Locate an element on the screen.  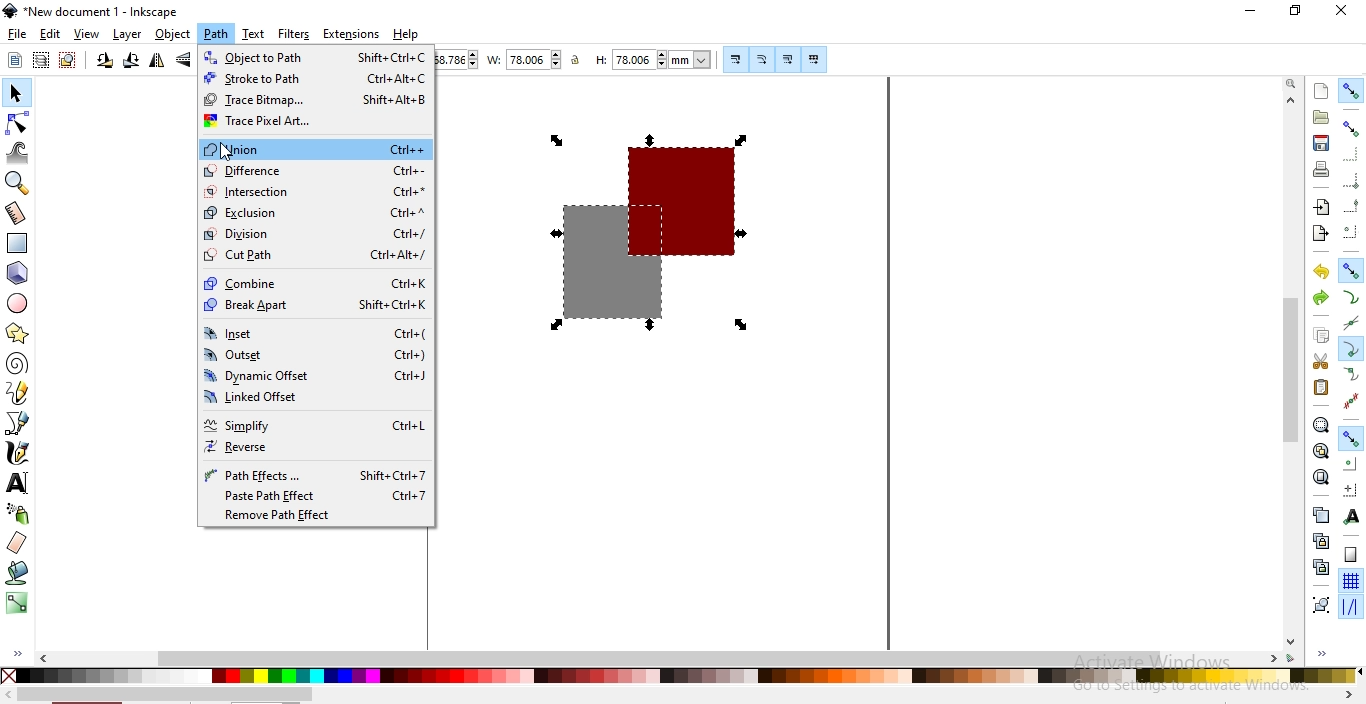
snap other points is located at coordinates (1352, 436).